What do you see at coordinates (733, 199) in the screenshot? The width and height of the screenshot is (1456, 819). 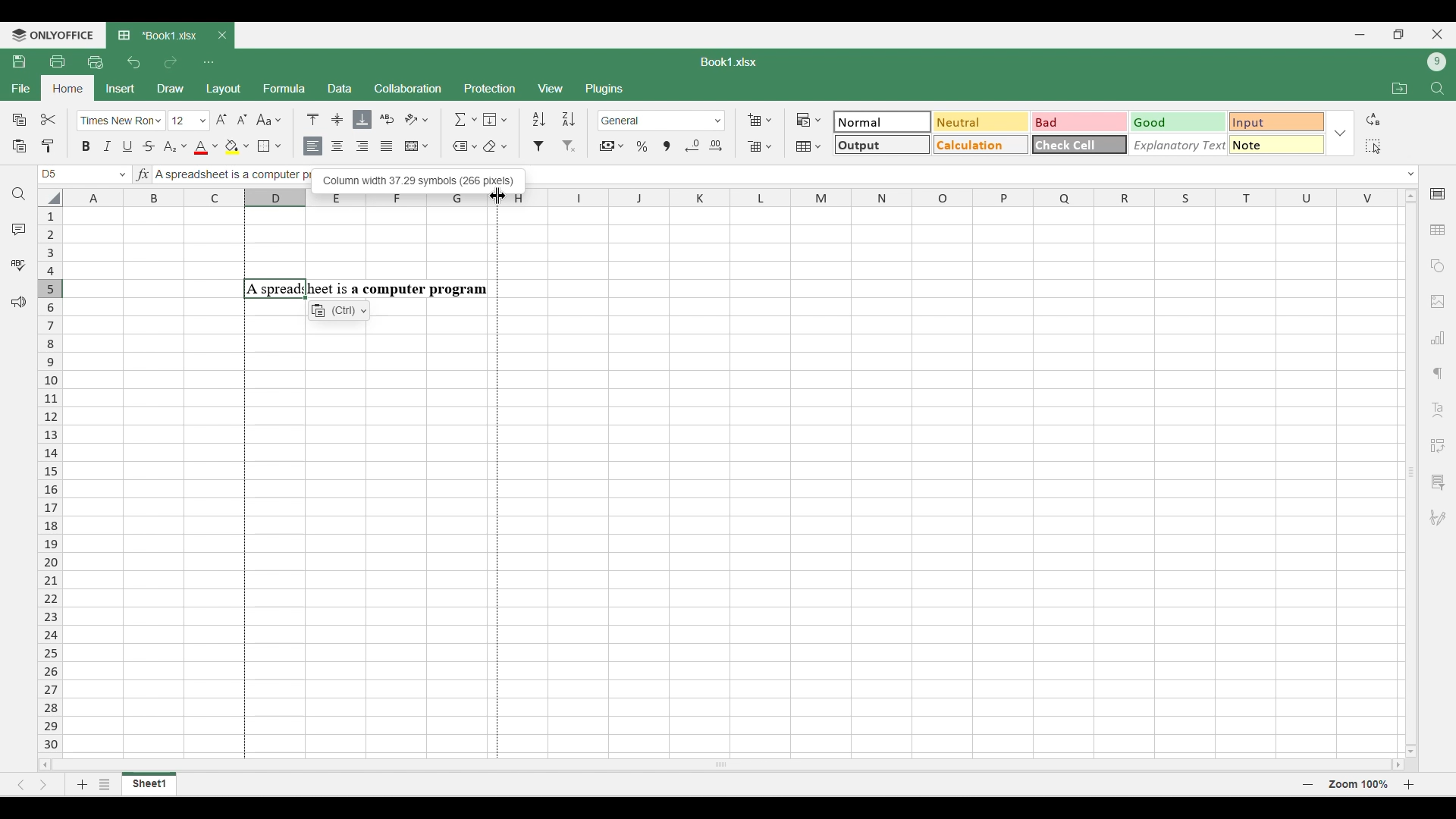 I see `Horizontal marker` at bounding box center [733, 199].